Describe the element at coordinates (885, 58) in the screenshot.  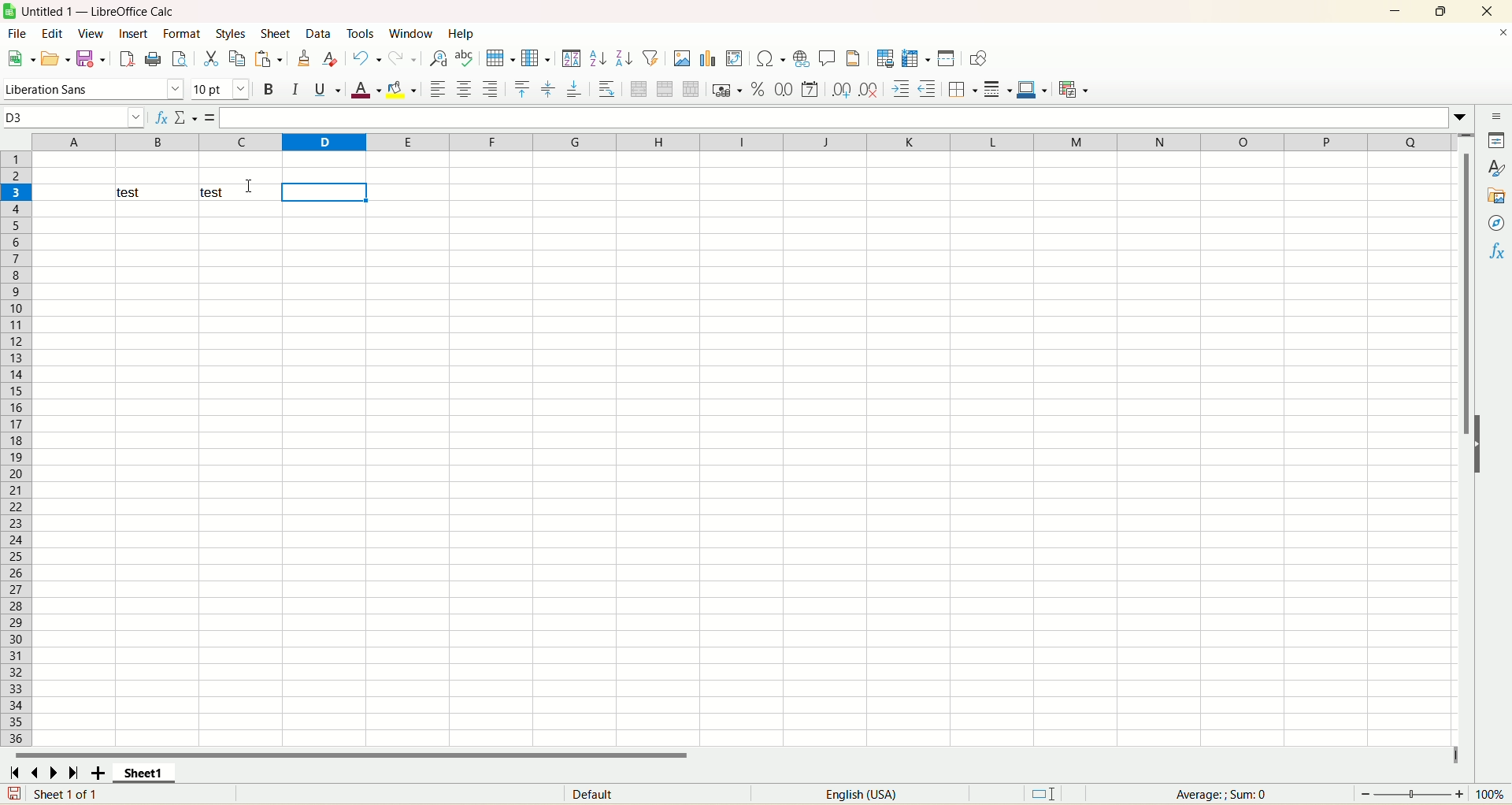
I see `define print area` at that location.